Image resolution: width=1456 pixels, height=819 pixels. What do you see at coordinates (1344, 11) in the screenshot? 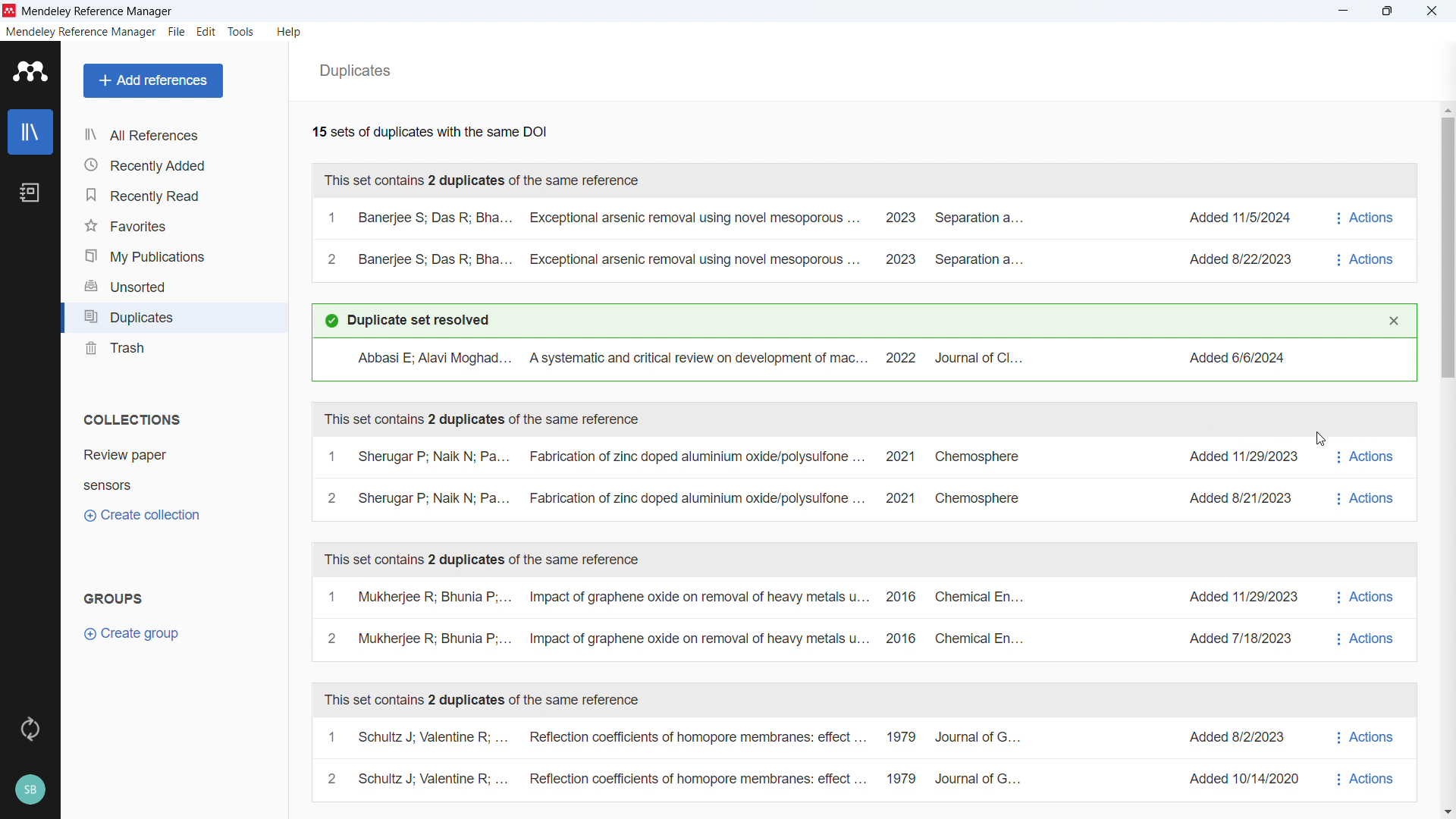
I see `minimise ` at bounding box center [1344, 11].